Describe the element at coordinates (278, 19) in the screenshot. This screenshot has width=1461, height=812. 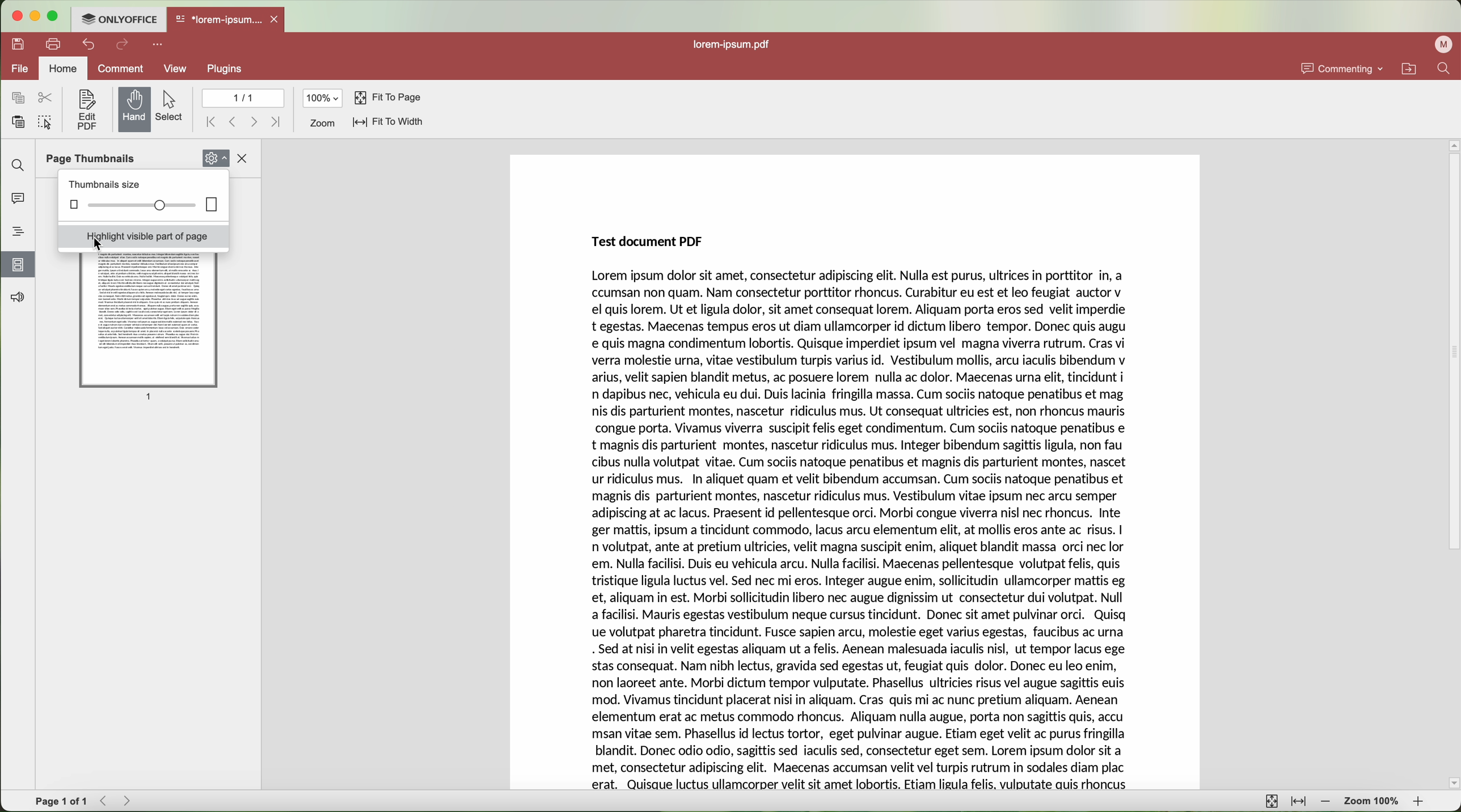
I see `close` at that location.